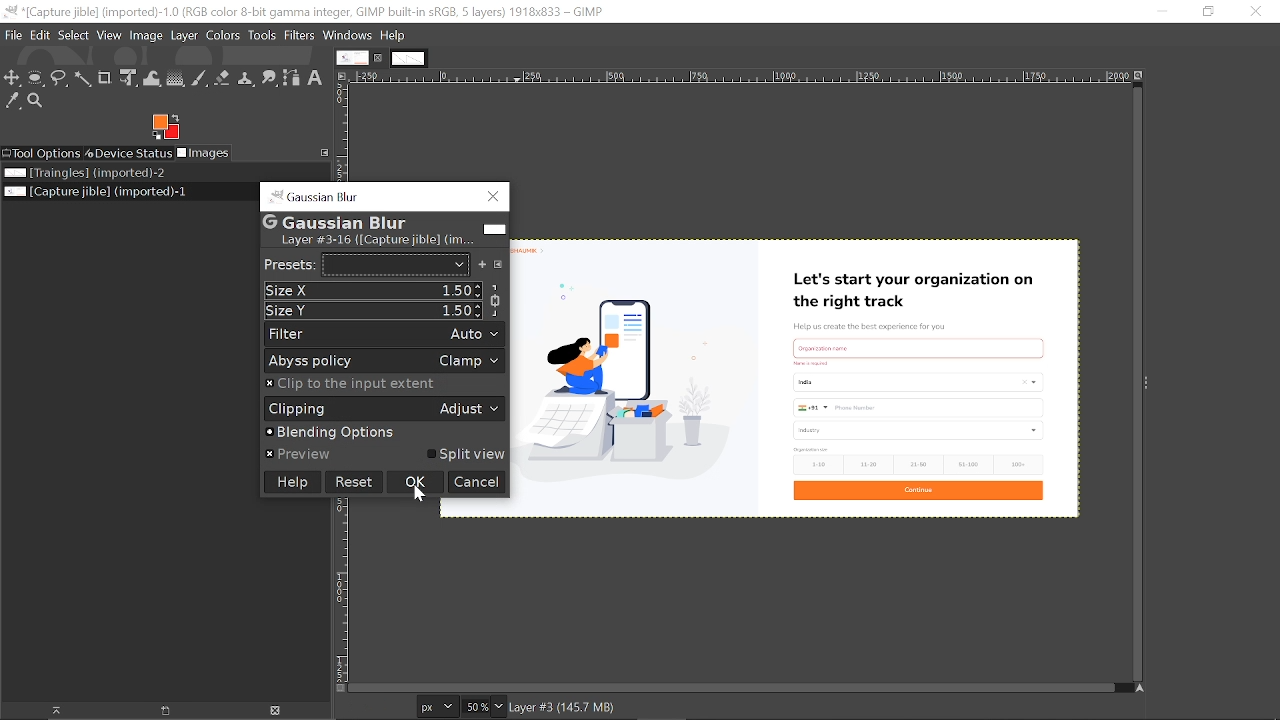 This screenshot has width=1280, height=720. I want to click on Add, so click(482, 264).